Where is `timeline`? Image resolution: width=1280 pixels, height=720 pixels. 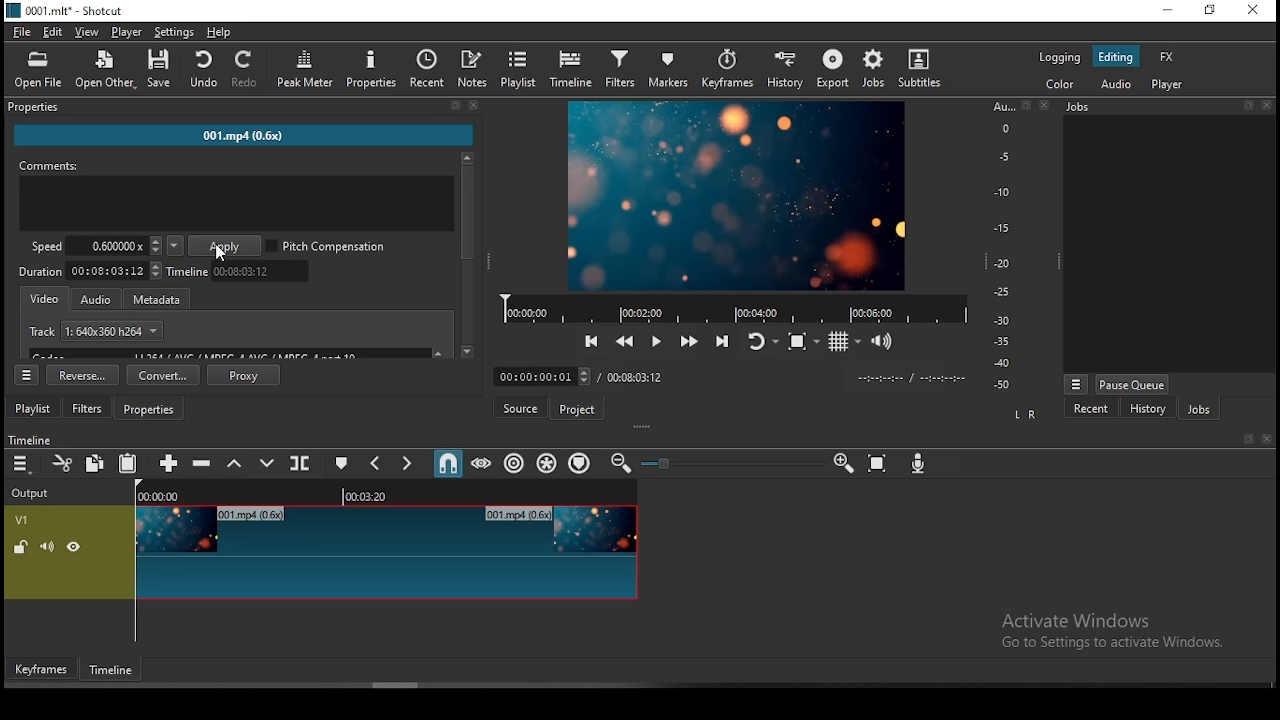
timeline is located at coordinates (387, 494).